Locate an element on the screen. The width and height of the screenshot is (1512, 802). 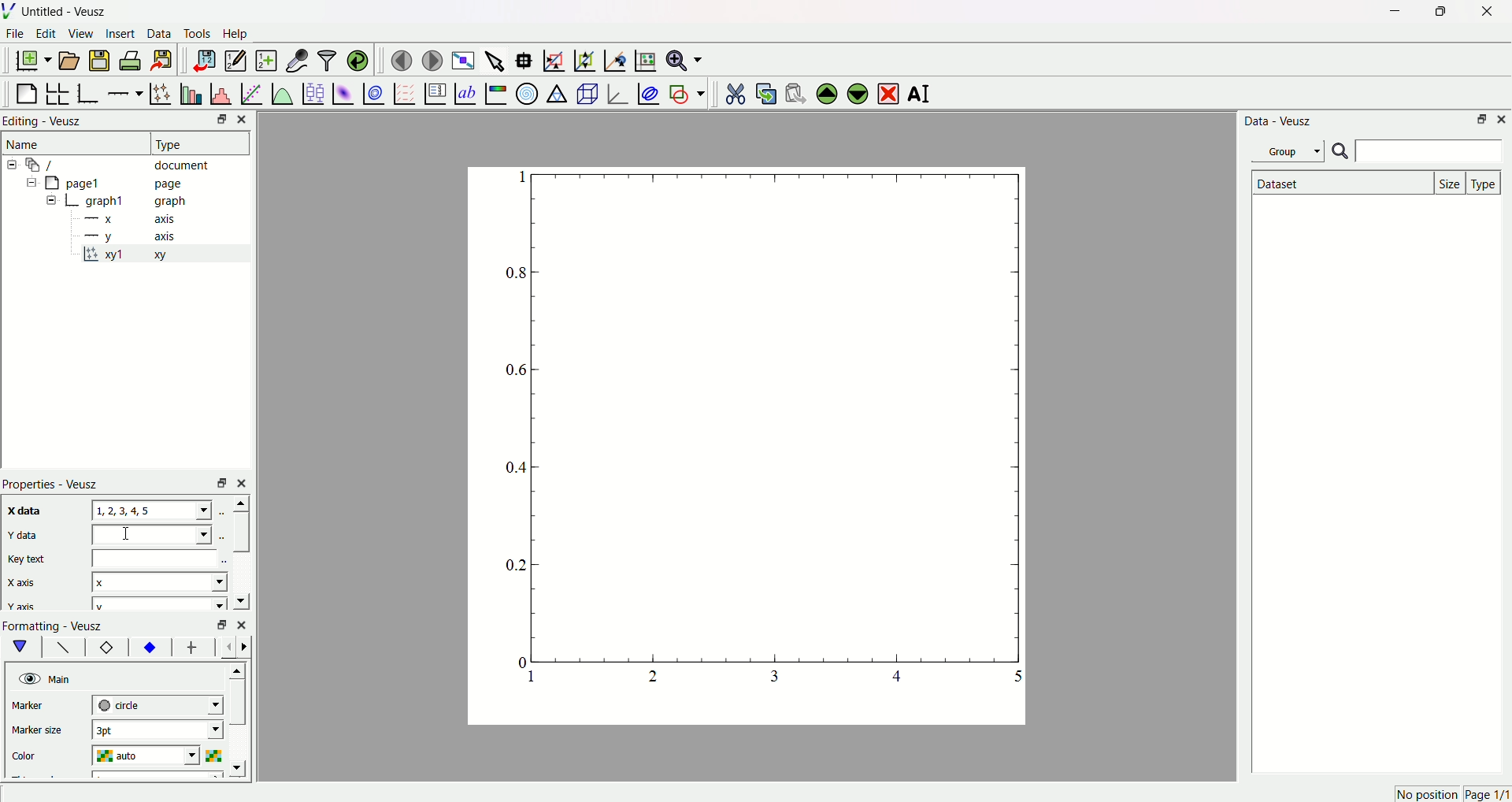
Marker is located at coordinates (42, 707).